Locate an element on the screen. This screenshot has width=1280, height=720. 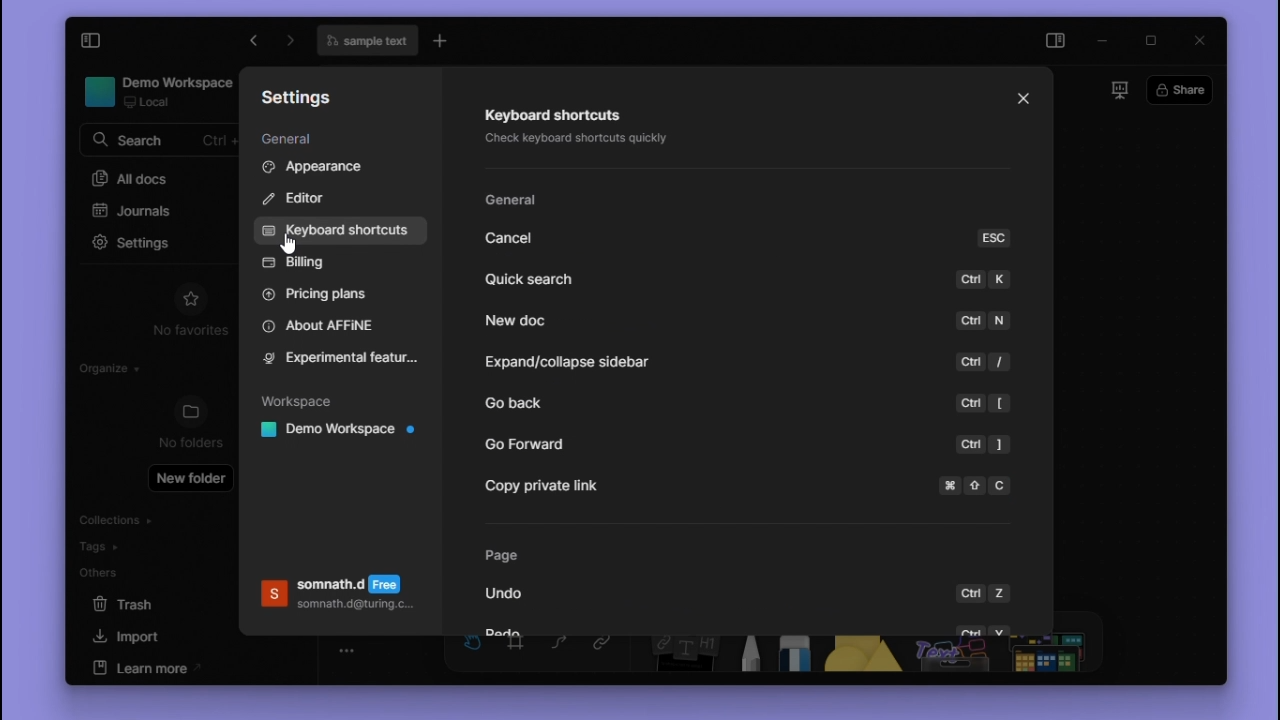
hand is located at coordinates (474, 652).